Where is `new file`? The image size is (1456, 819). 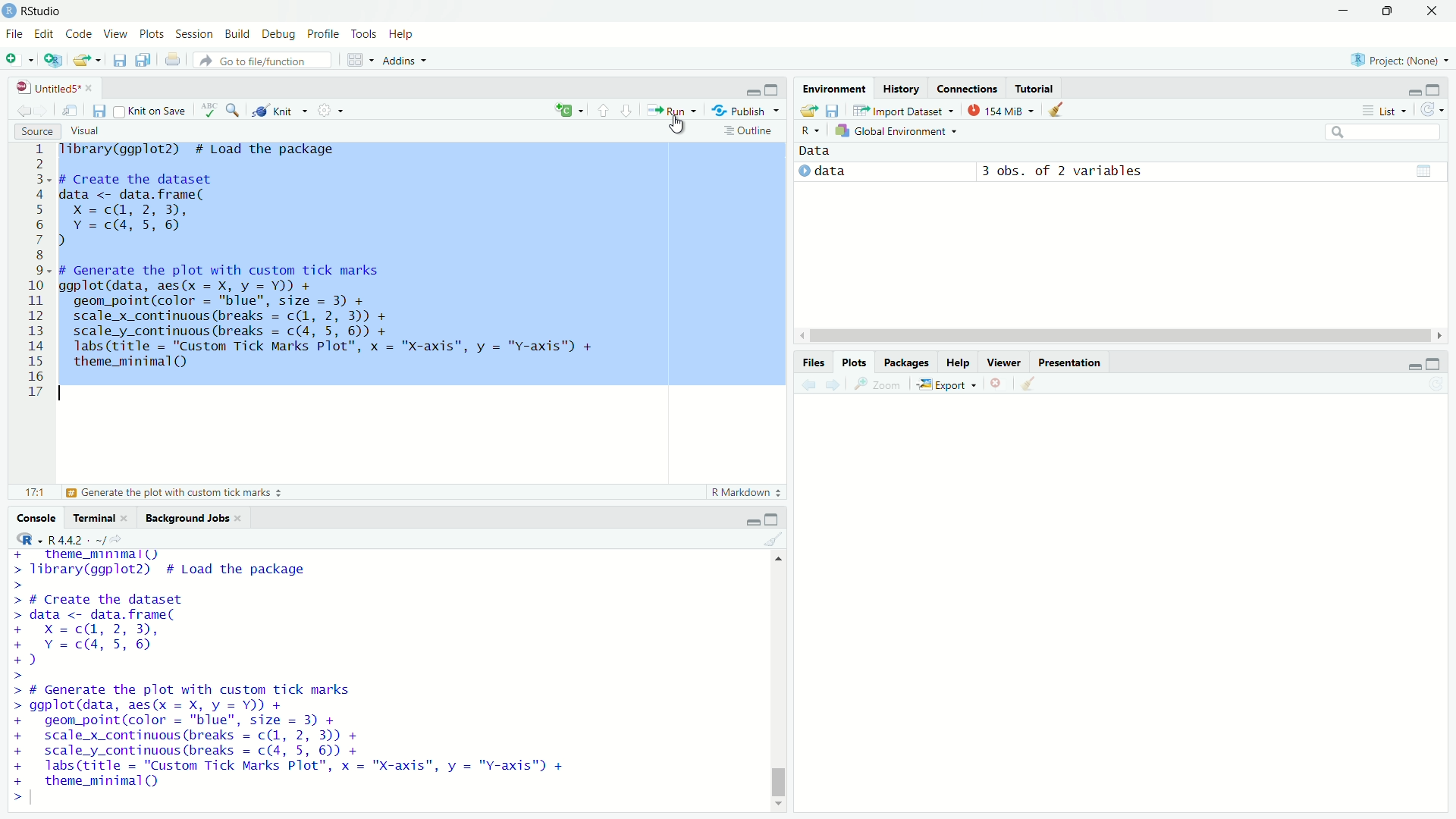
new file is located at coordinates (19, 60).